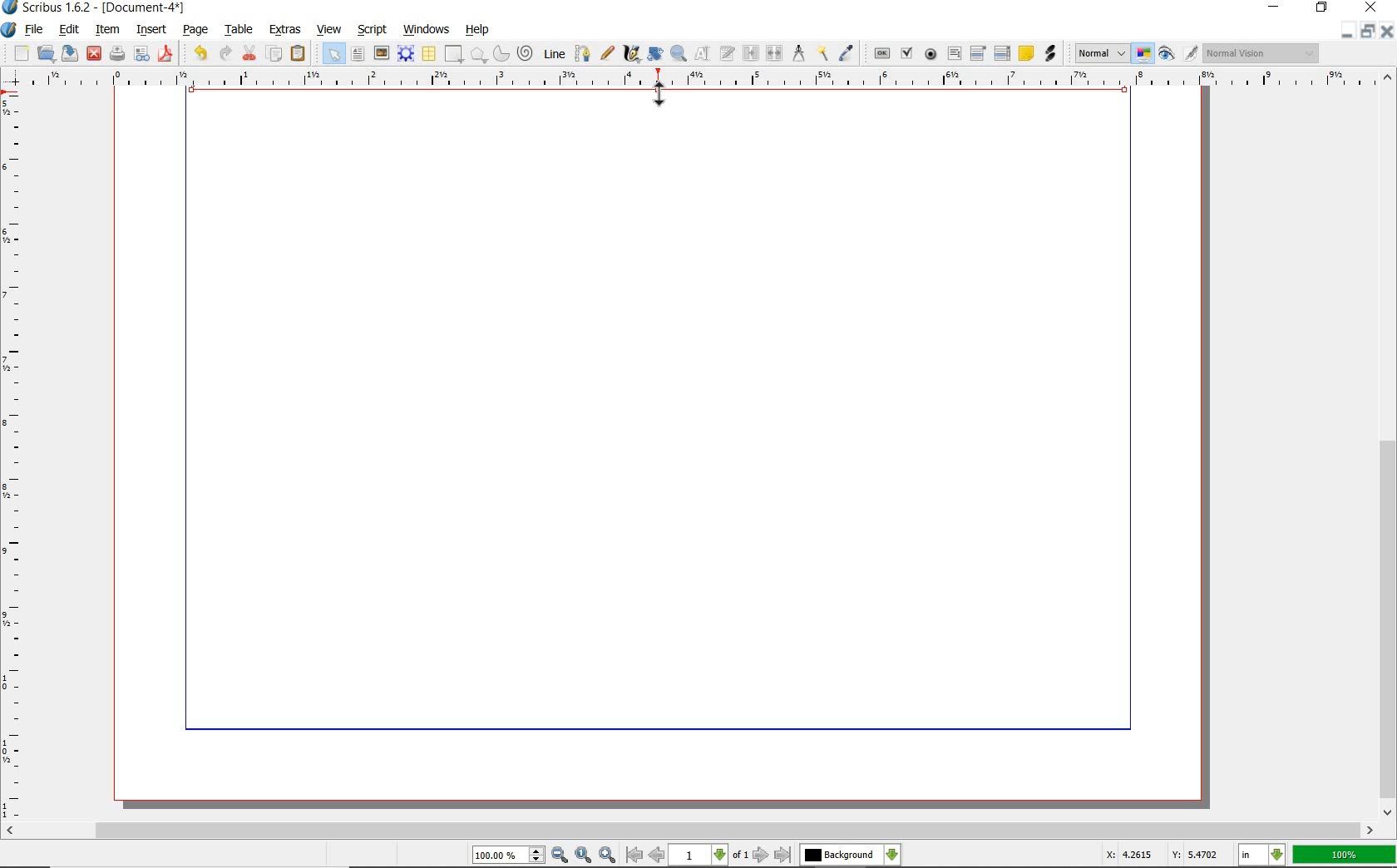 This screenshot has height=868, width=1397. What do you see at coordinates (70, 29) in the screenshot?
I see `edit` at bounding box center [70, 29].